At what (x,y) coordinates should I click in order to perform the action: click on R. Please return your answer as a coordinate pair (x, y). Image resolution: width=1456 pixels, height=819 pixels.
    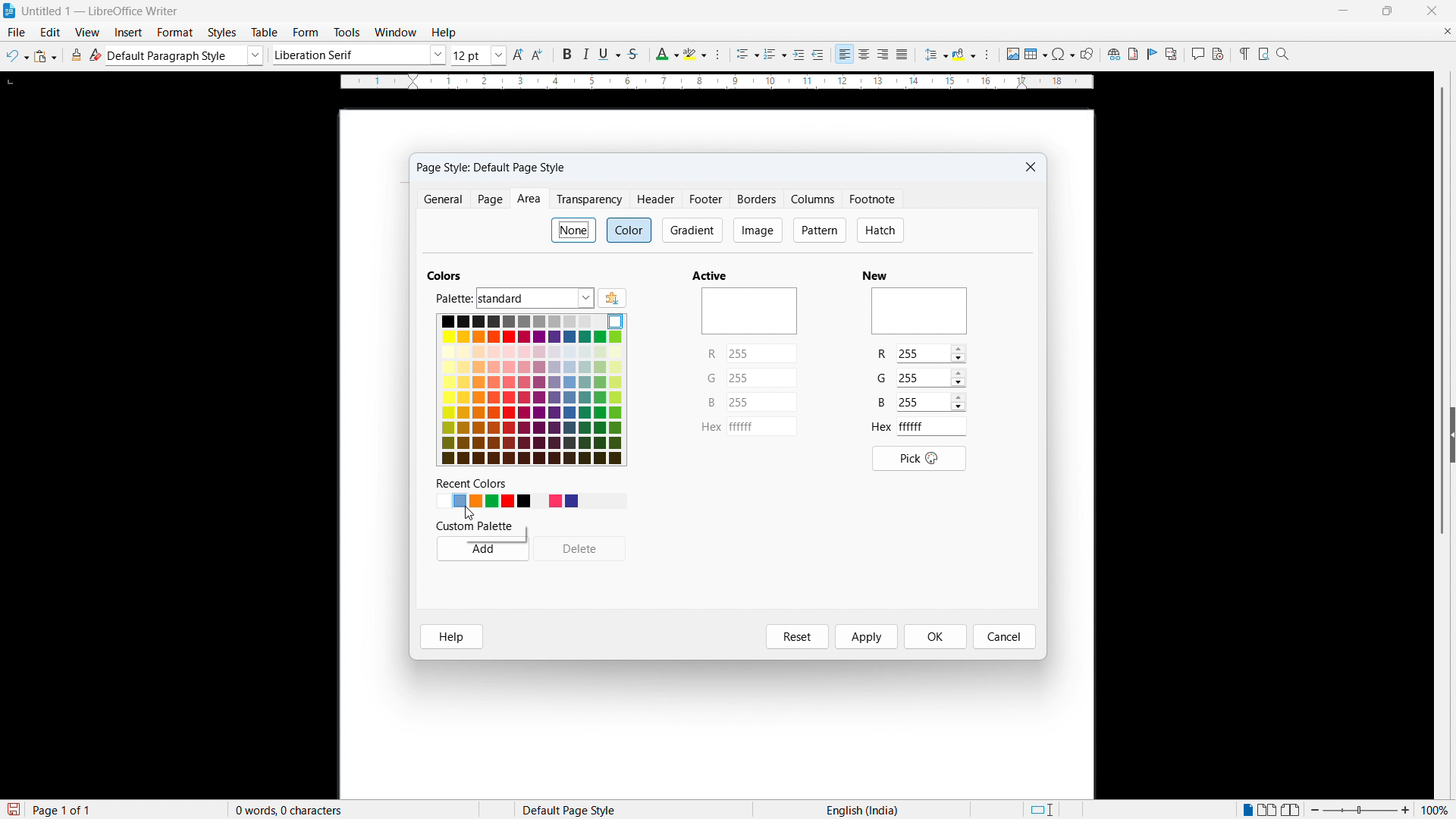
    Looking at the image, I should click on (880, 354).